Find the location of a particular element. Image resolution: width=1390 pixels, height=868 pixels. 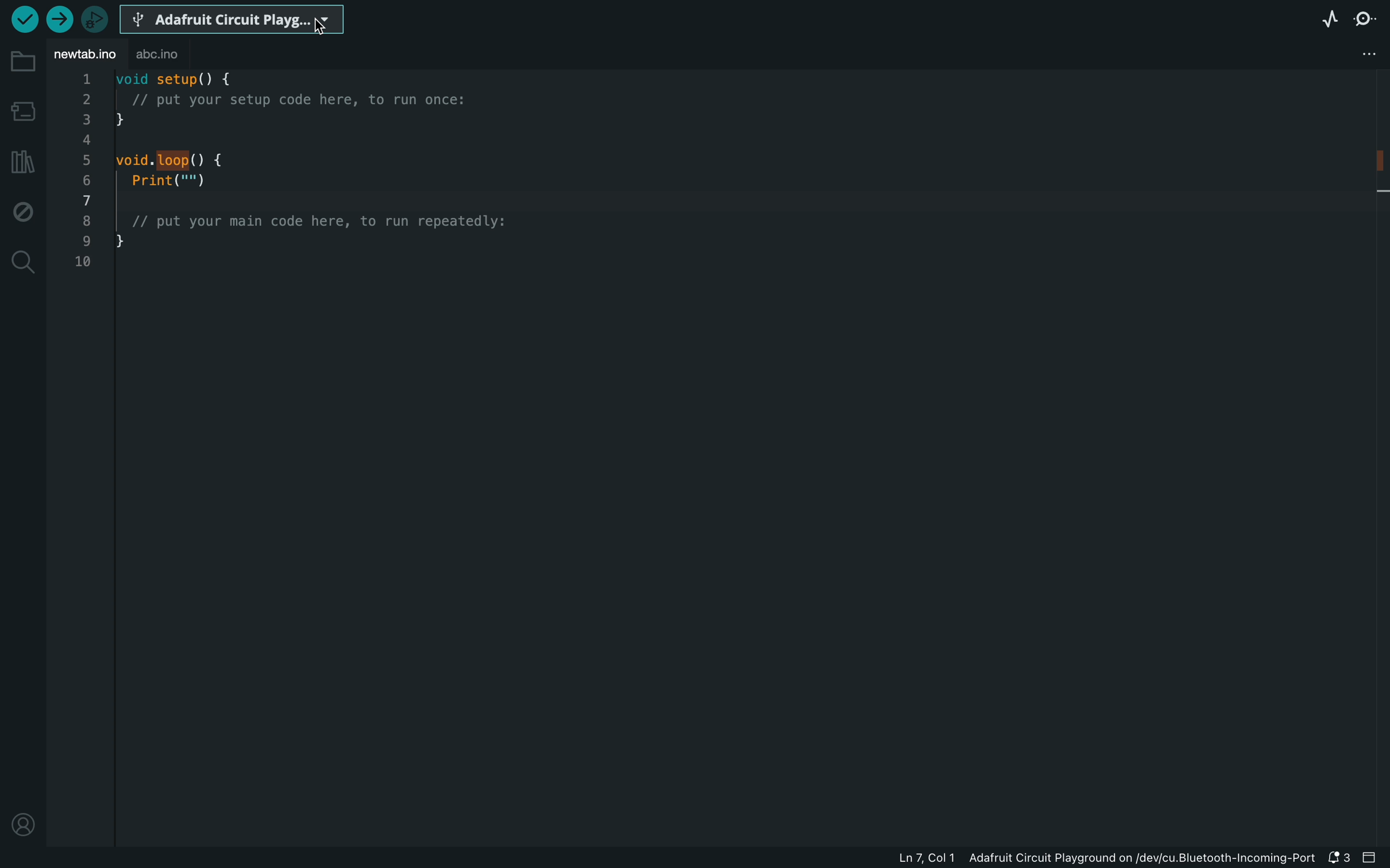

file information is located at coordinates (1079, 859).